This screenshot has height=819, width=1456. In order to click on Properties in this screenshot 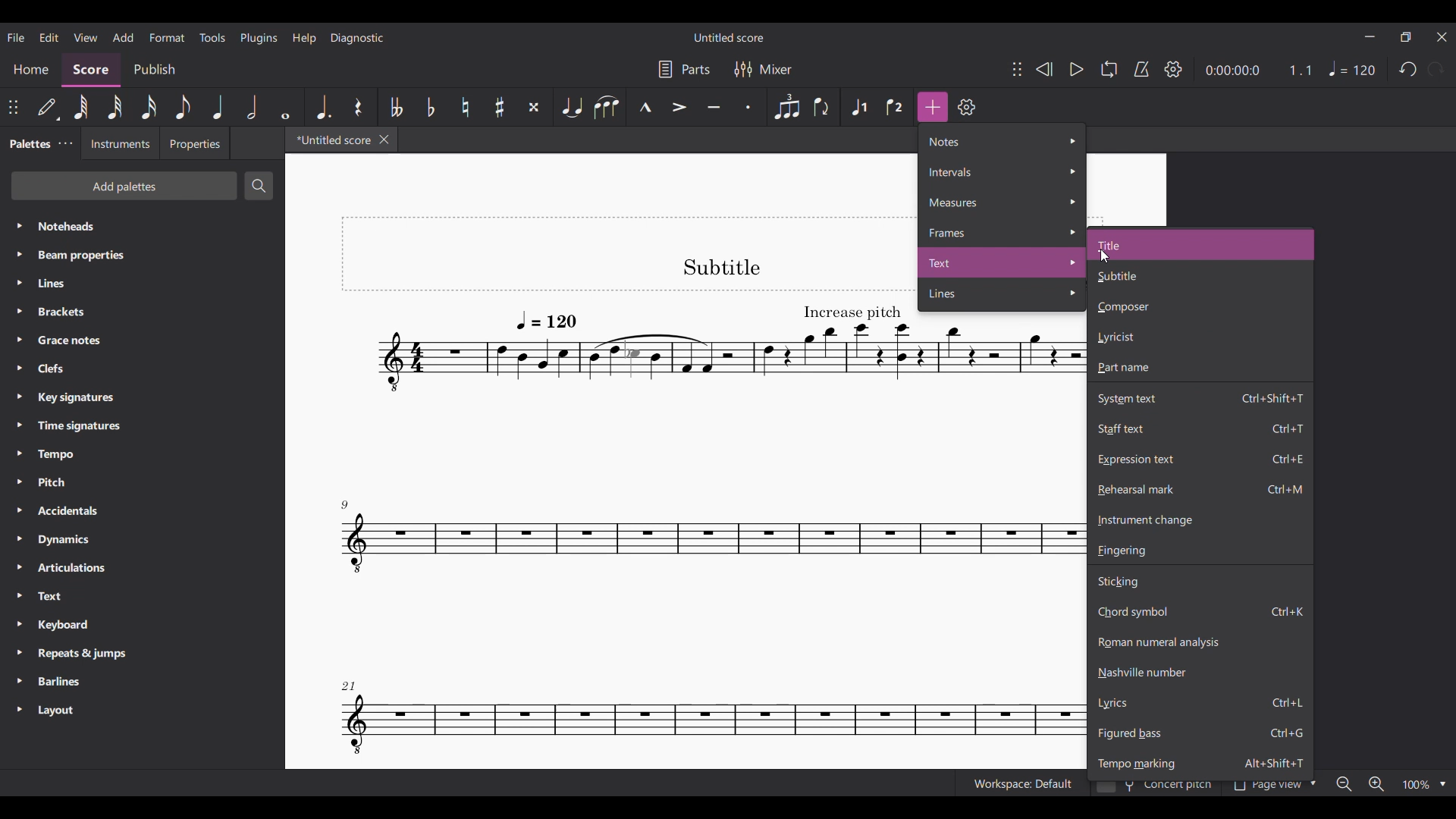, I will do `click(194, 143)`.